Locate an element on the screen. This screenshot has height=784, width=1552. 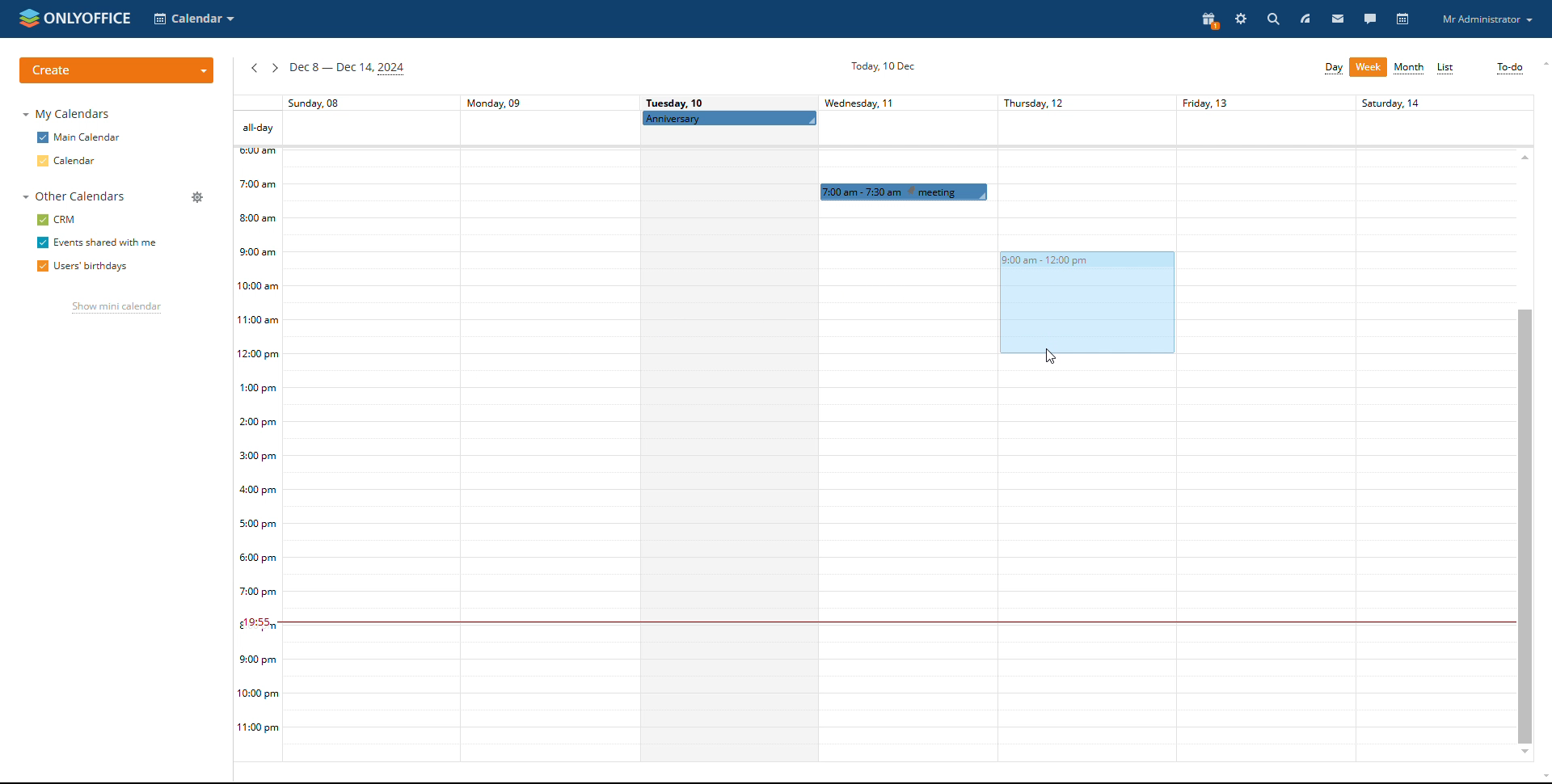
 is located at coordinates (1435, 425).